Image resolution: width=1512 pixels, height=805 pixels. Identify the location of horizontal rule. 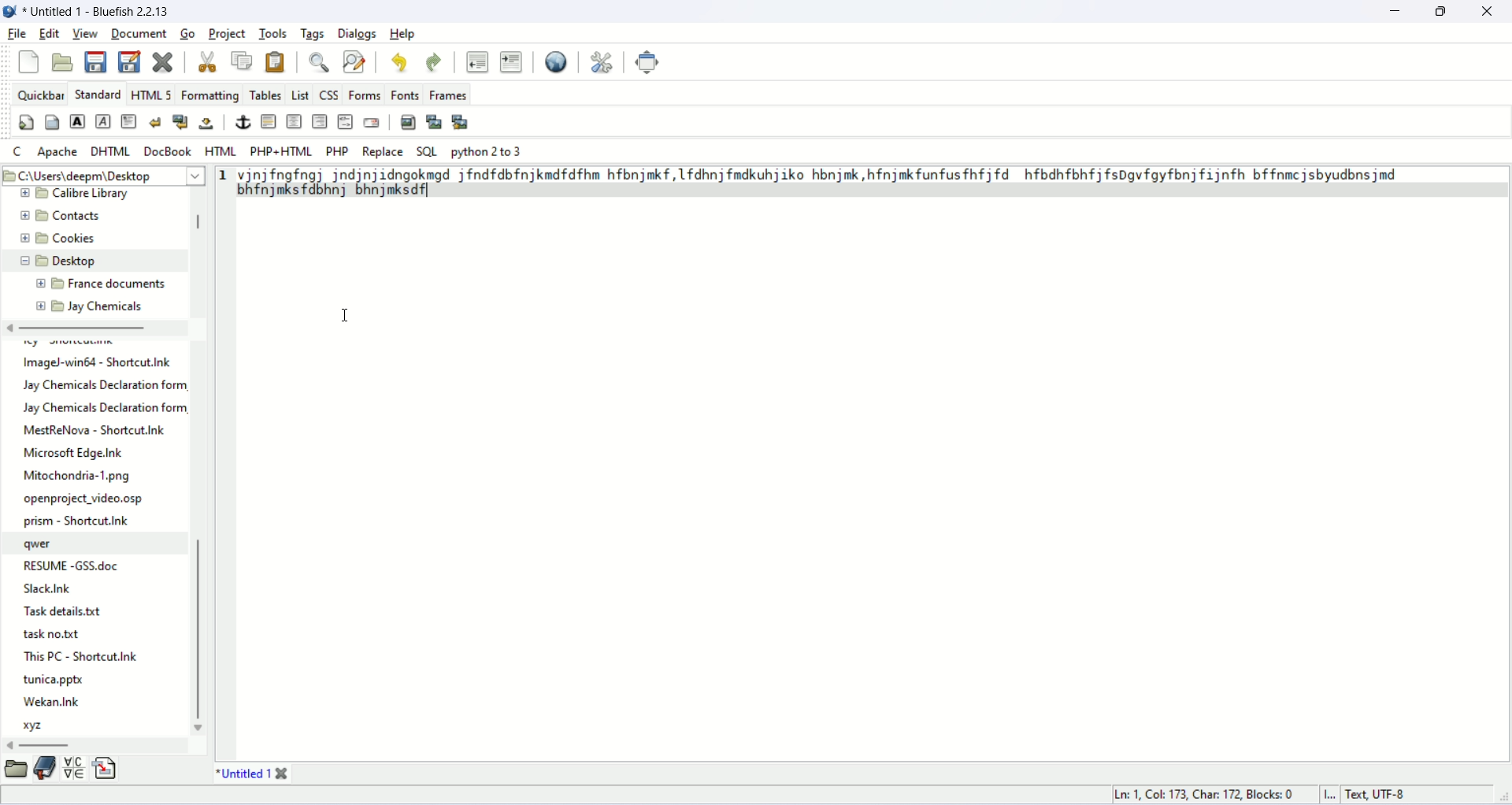
(269, 121).